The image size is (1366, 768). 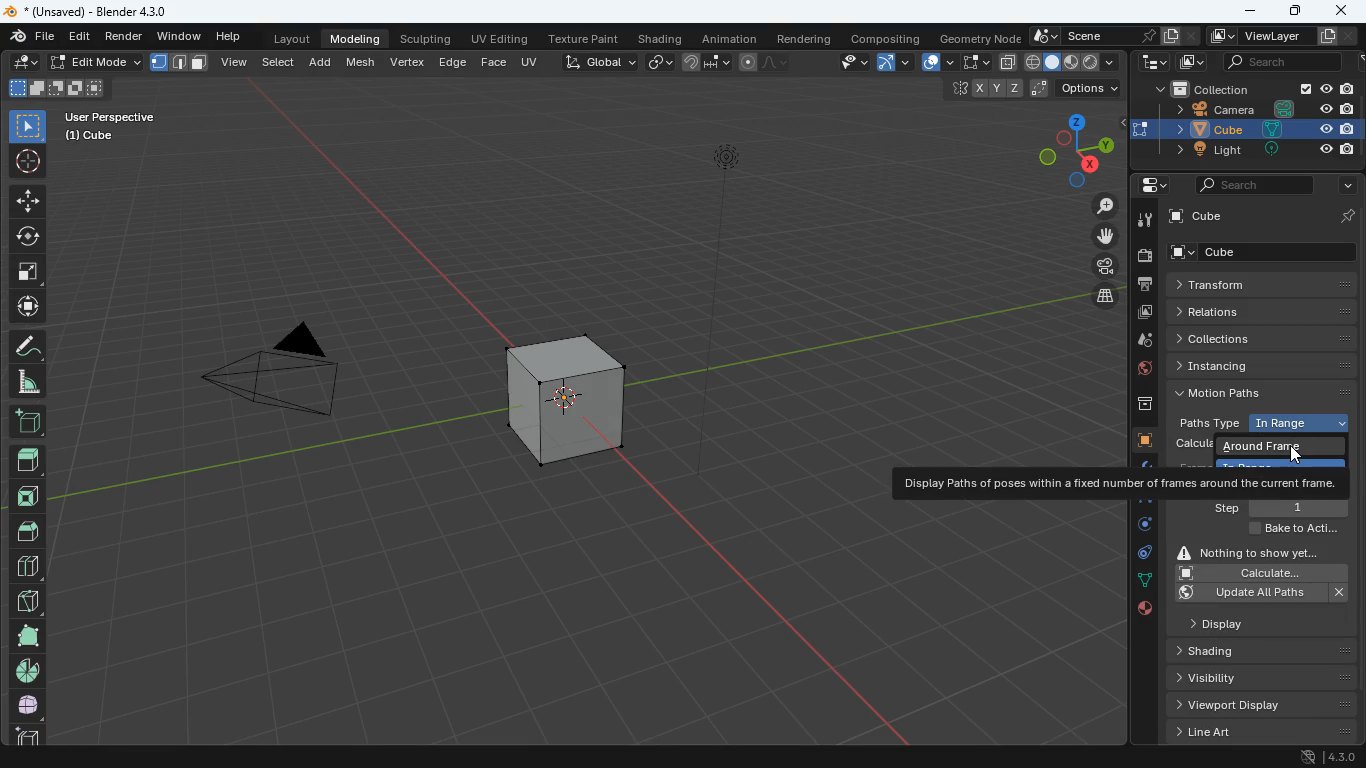 I want to click on global, so click(x=600, y=61).